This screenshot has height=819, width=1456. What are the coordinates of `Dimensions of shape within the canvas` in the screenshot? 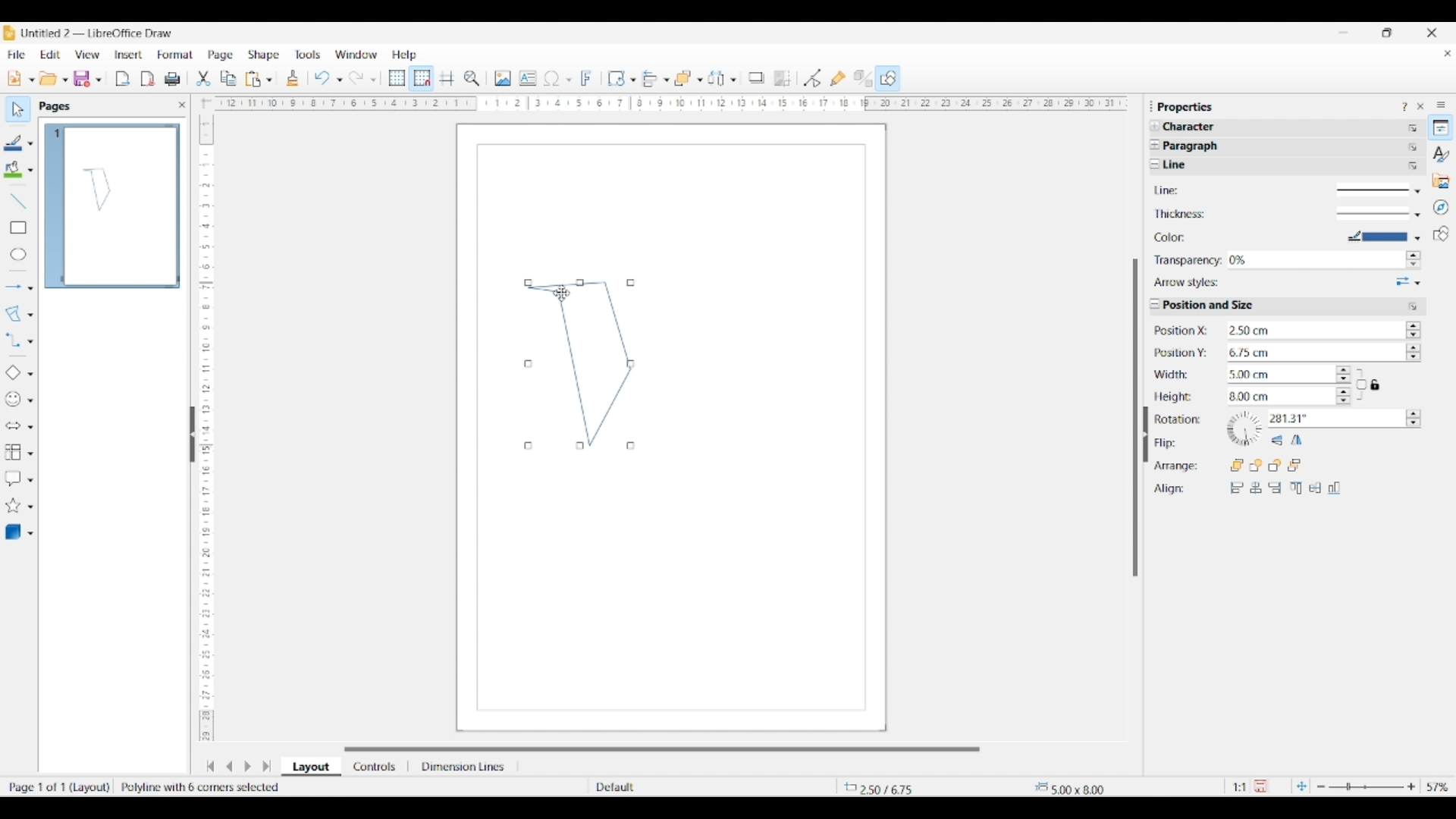 It's located at (1094, 788).